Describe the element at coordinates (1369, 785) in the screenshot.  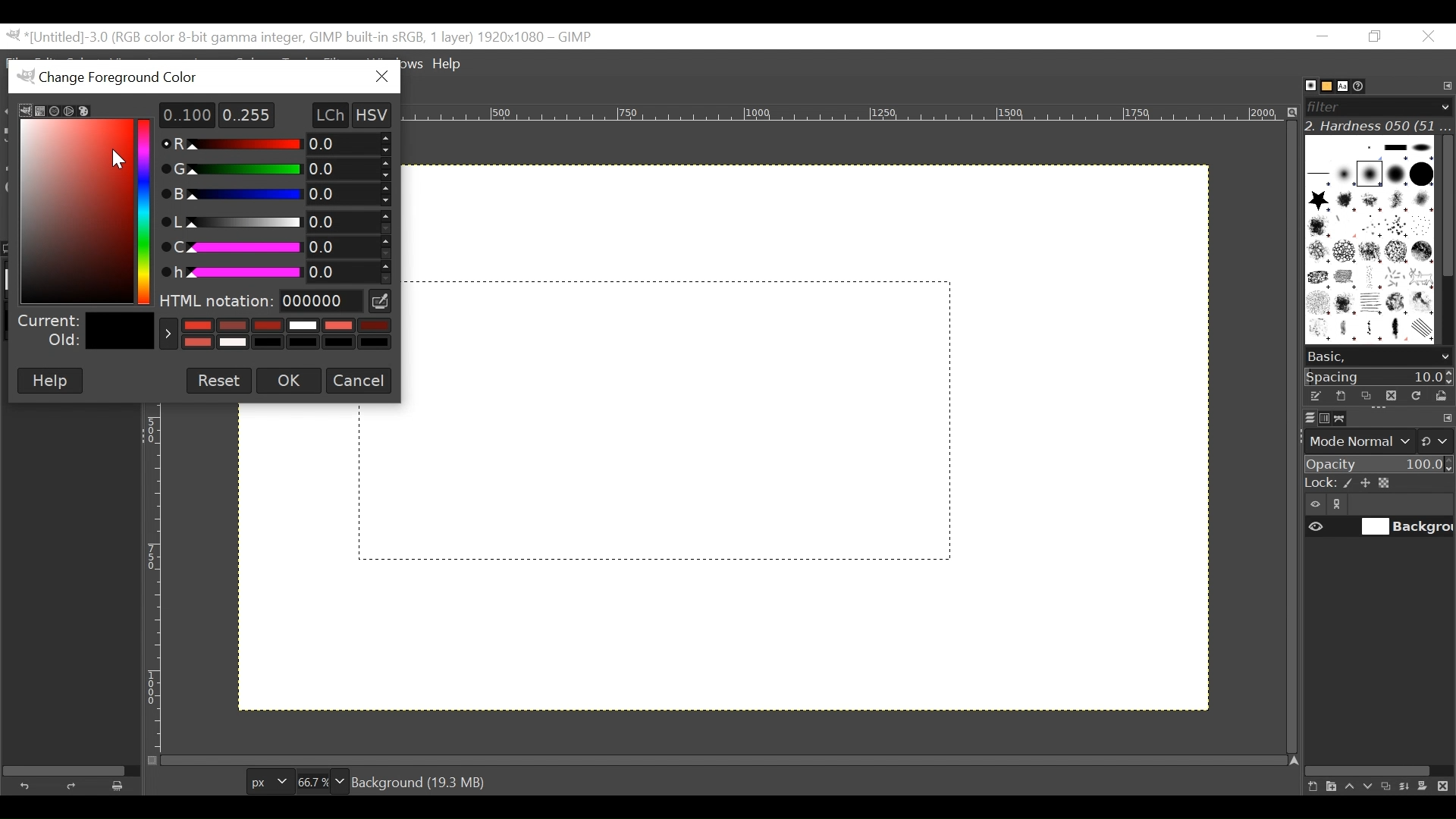
I see `Lower the layer` at that location.